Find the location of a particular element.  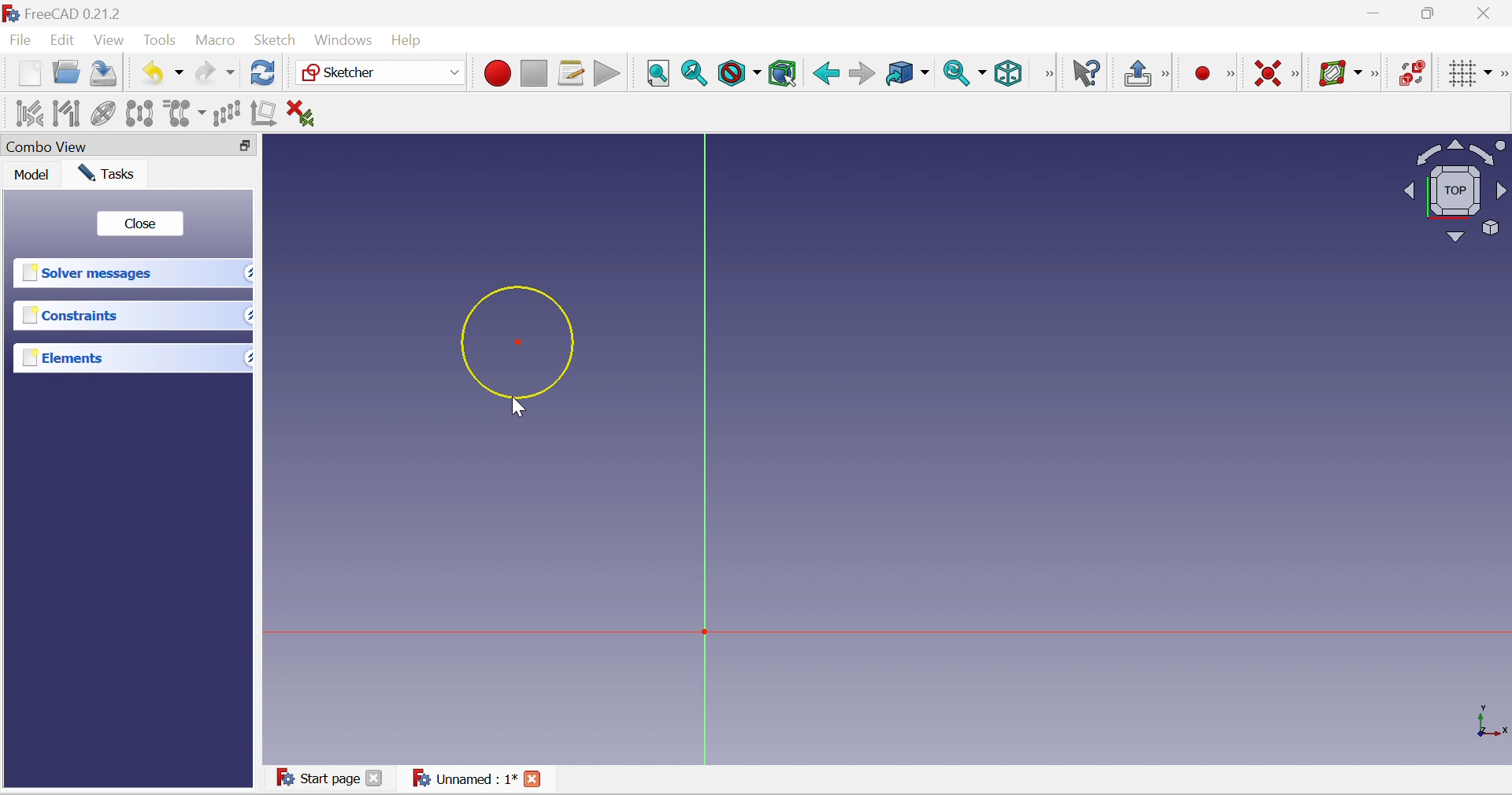

Stop macro recording is located at coordinates (532, 73).